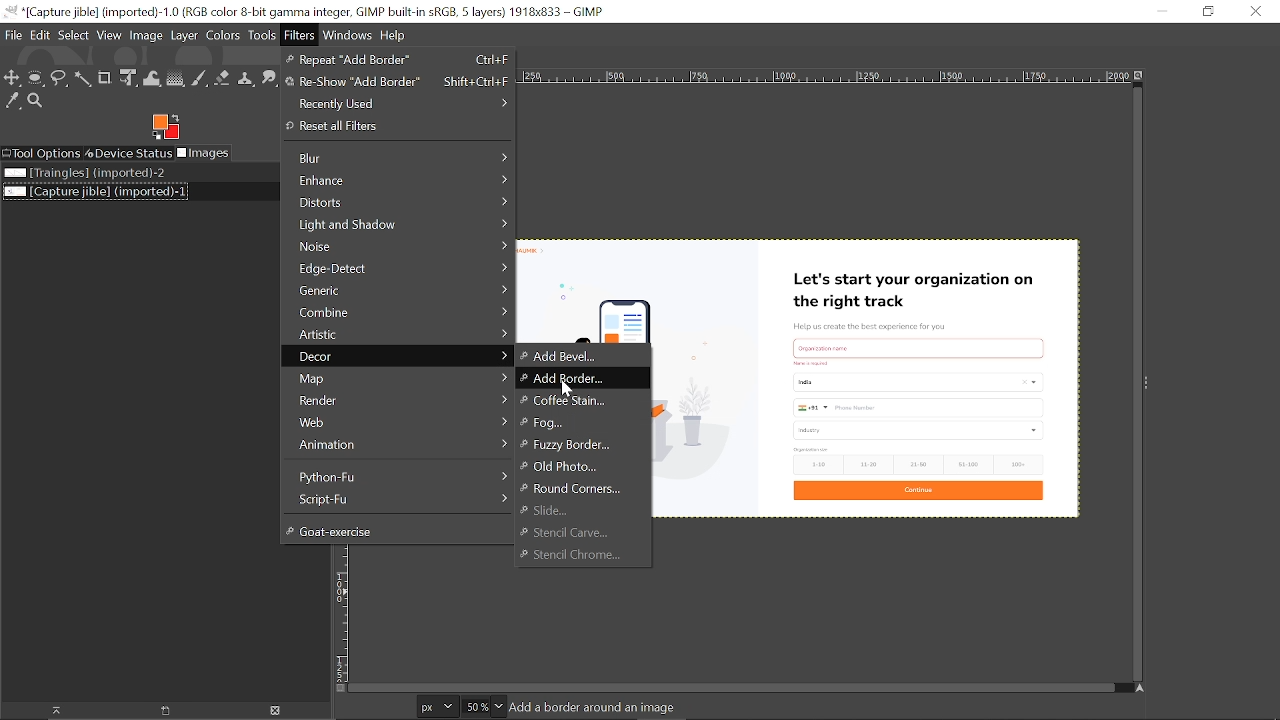 This screenshot has height=720, width=1280. I want to click on Horizontal scrollbar, so click(736, 689).